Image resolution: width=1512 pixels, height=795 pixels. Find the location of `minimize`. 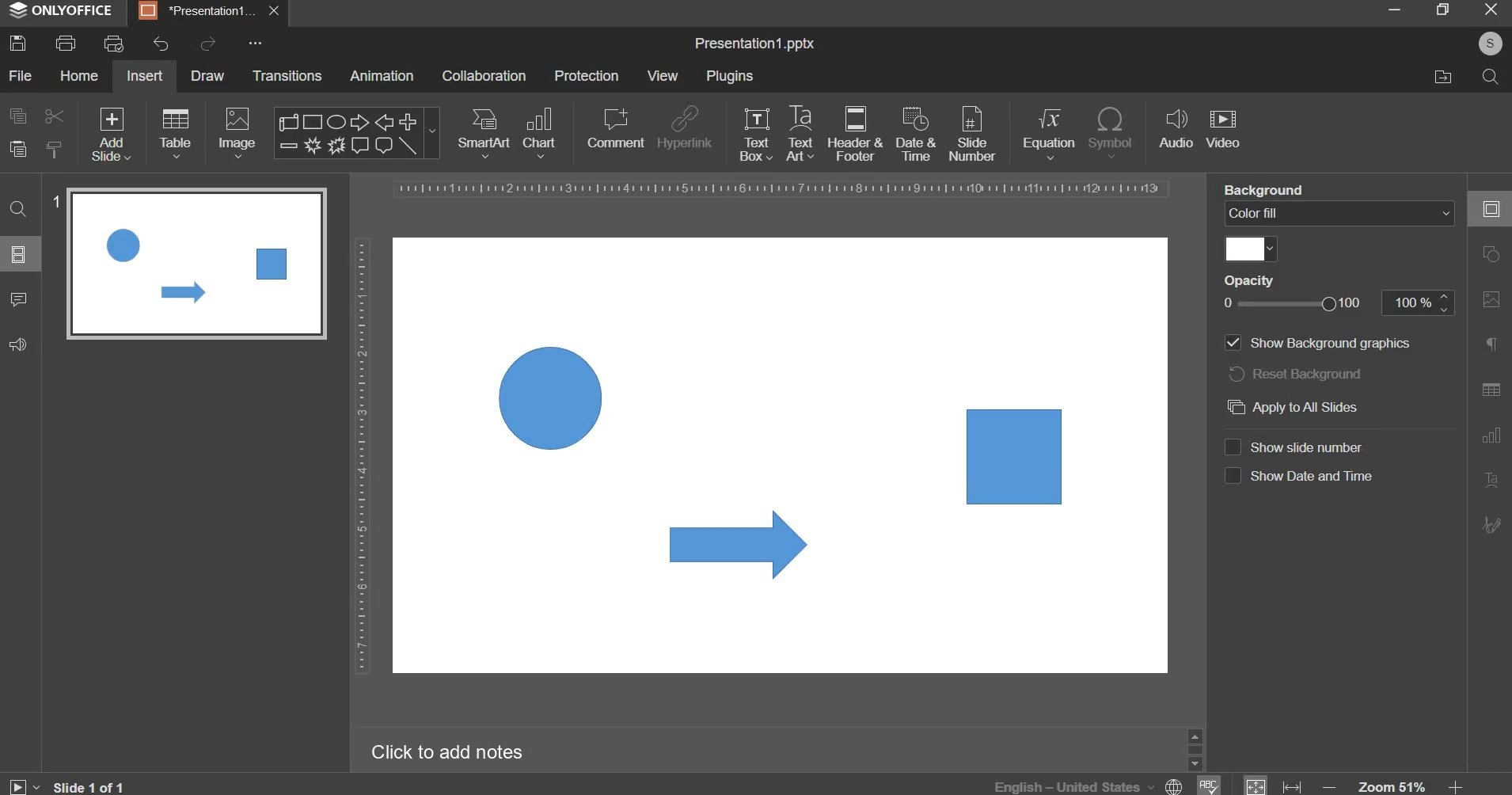

minimize is located at coordinates (1393, 9).